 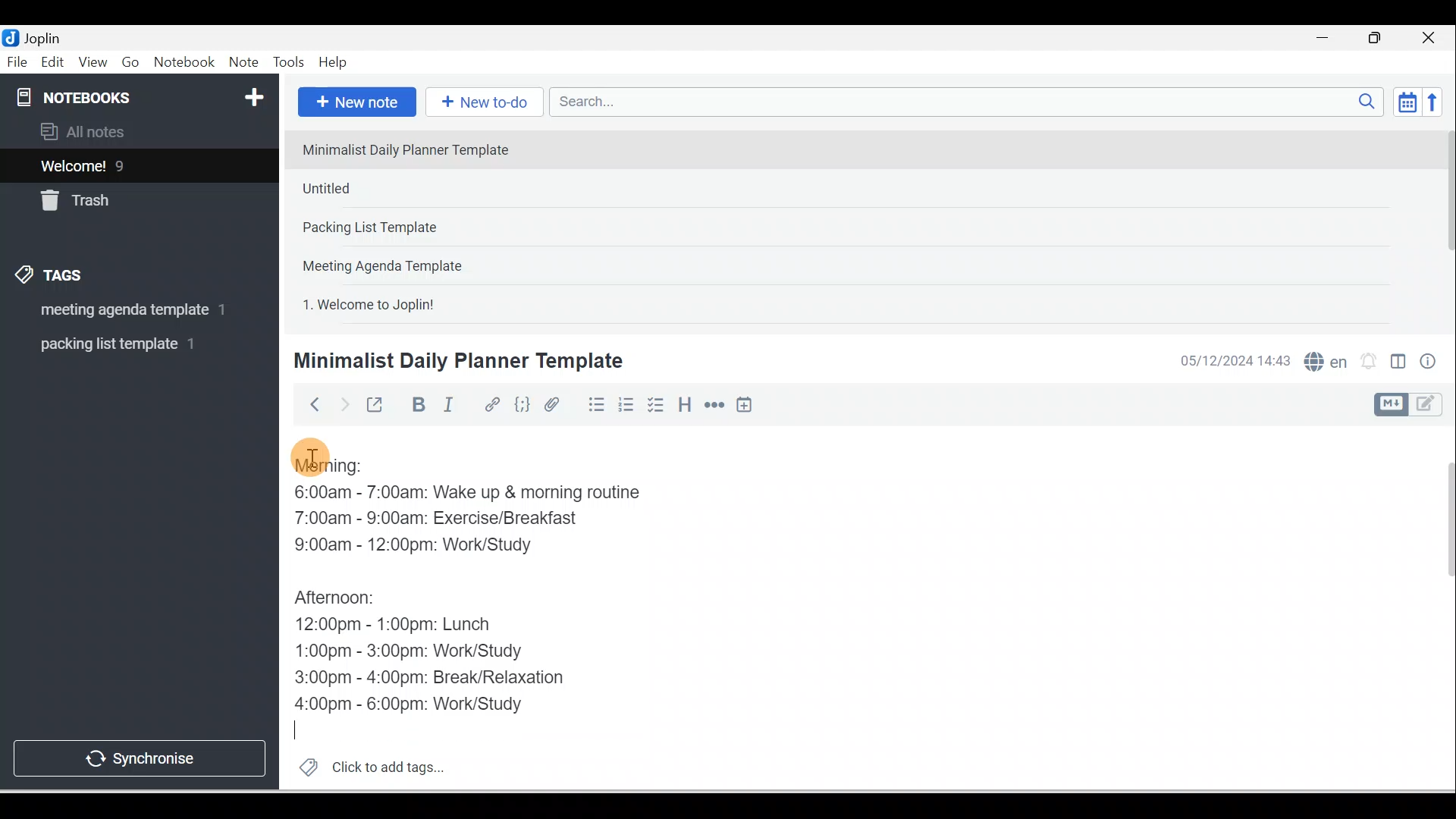 I want to click on Attach file, so click(x=556, y=404).